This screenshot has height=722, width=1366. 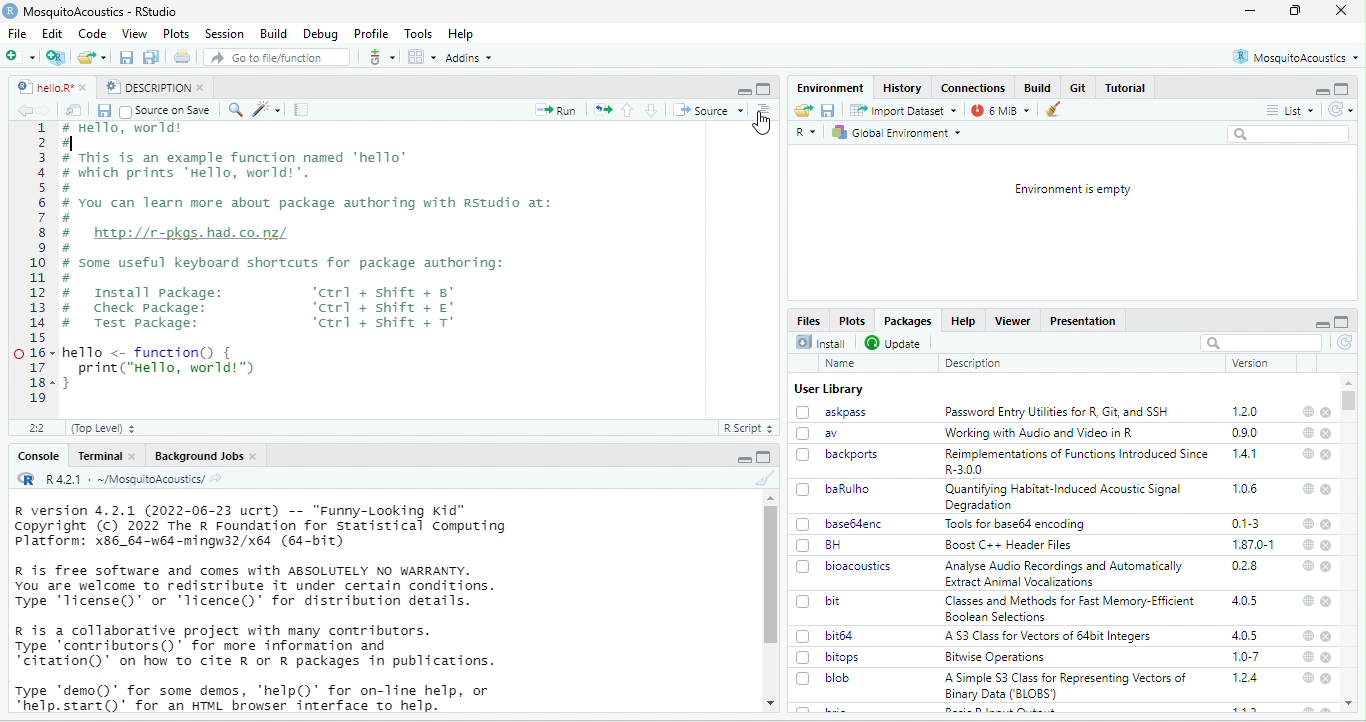 I want to click on Boost C++ Header Files, so click(x=1010, y=545).